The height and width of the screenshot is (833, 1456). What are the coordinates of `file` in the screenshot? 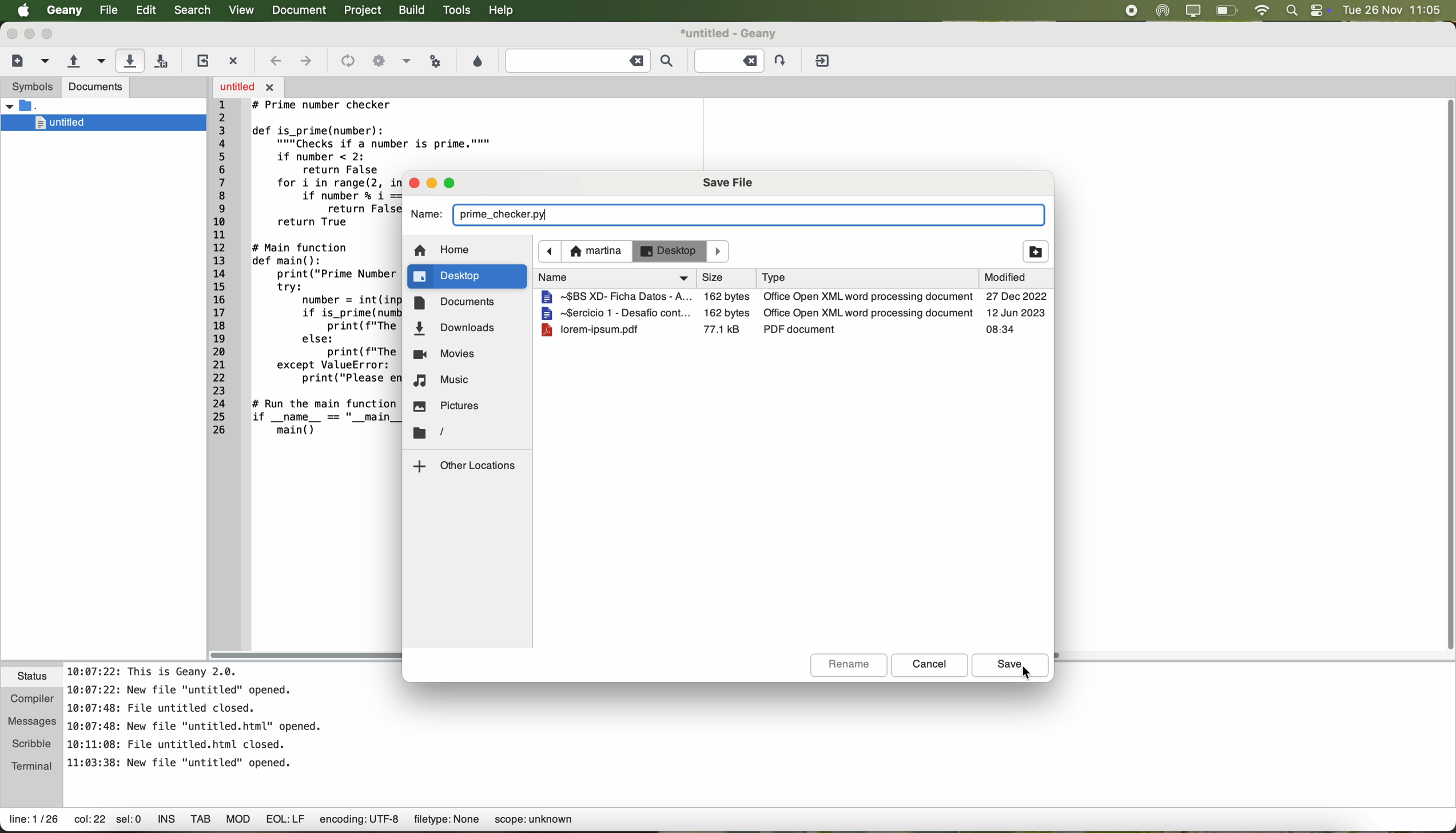 It's located at (795, 296).